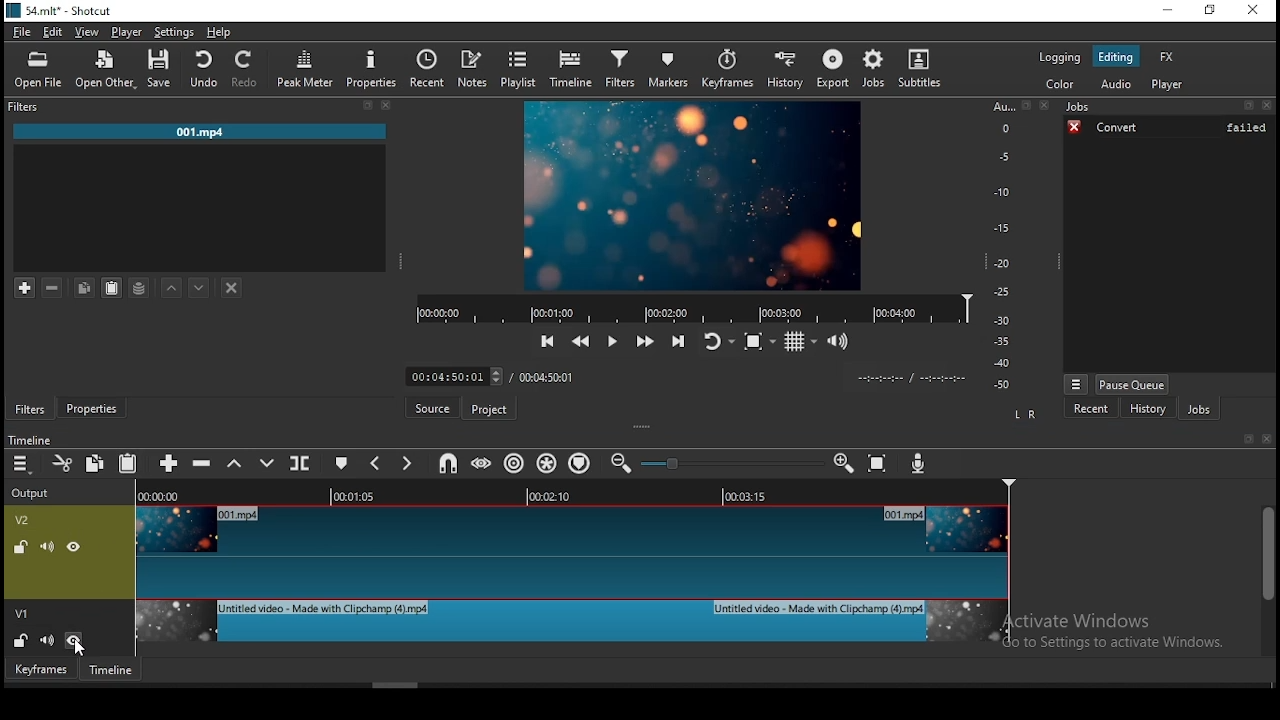  I want to click on toggle player looping, so click(717, 343).